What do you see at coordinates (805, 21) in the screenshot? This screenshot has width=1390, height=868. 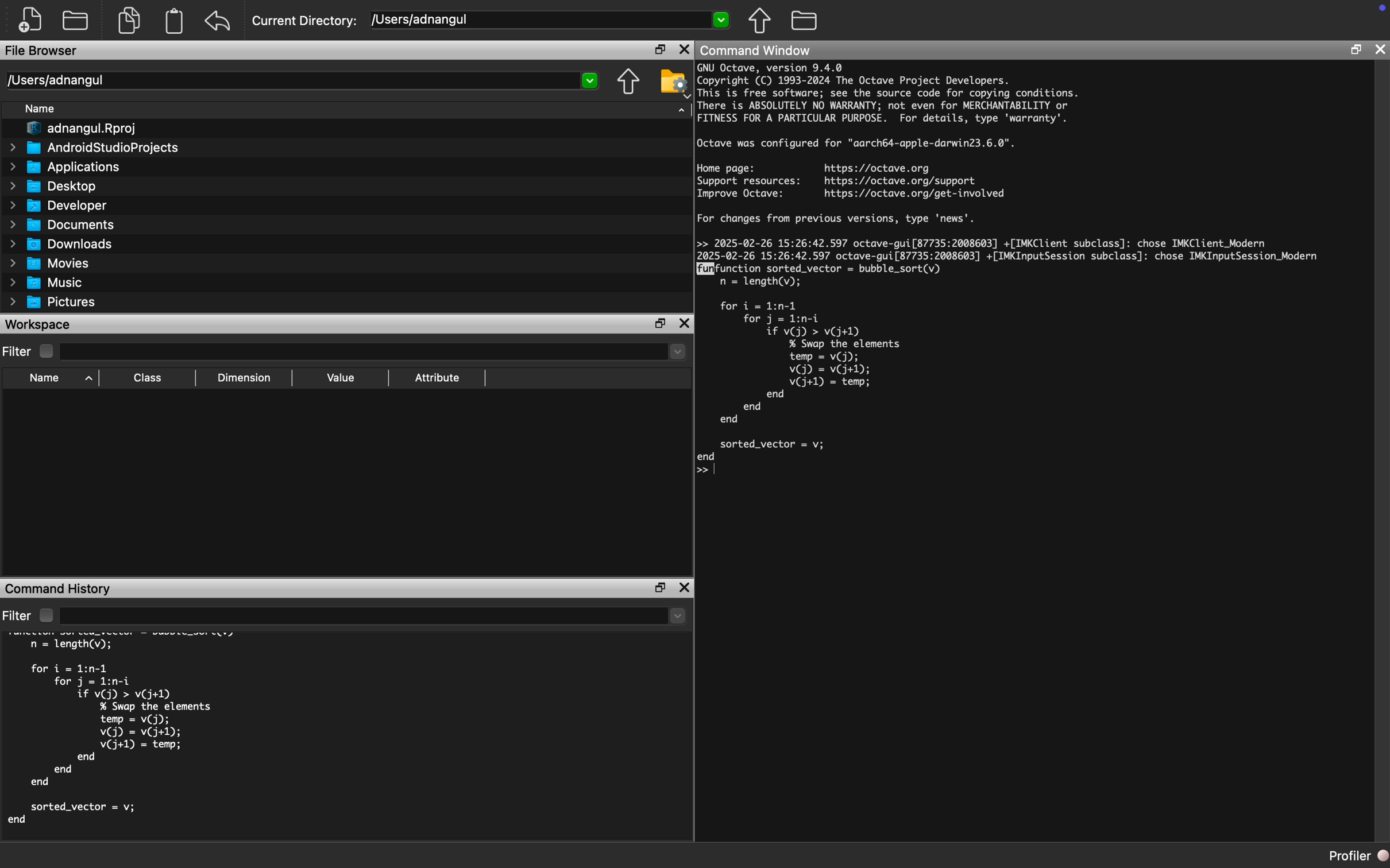 I see `Folder` at bounding box center [805, 21].